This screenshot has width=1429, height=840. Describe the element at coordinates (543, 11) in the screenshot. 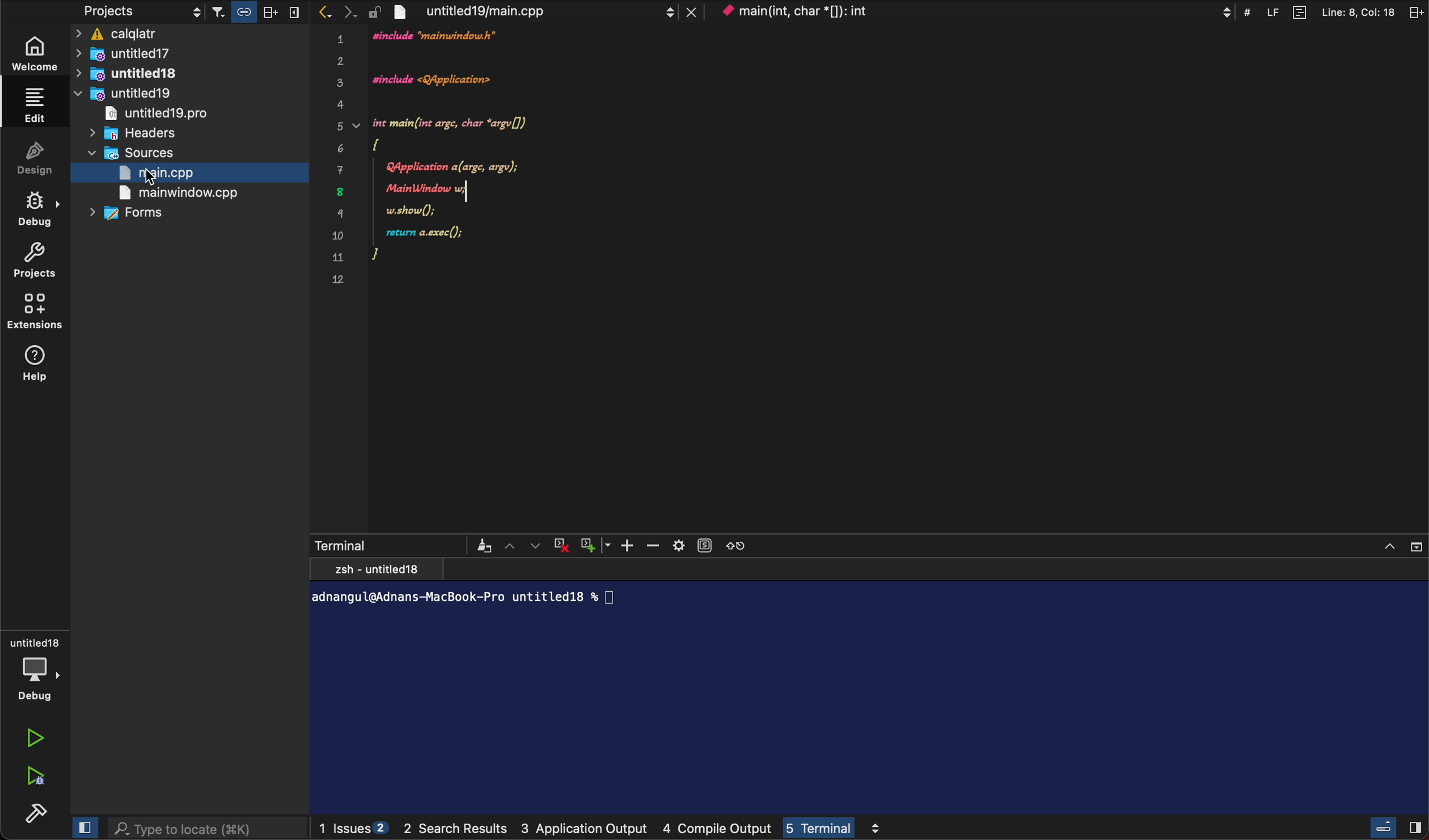

I see `file tab` at that location.